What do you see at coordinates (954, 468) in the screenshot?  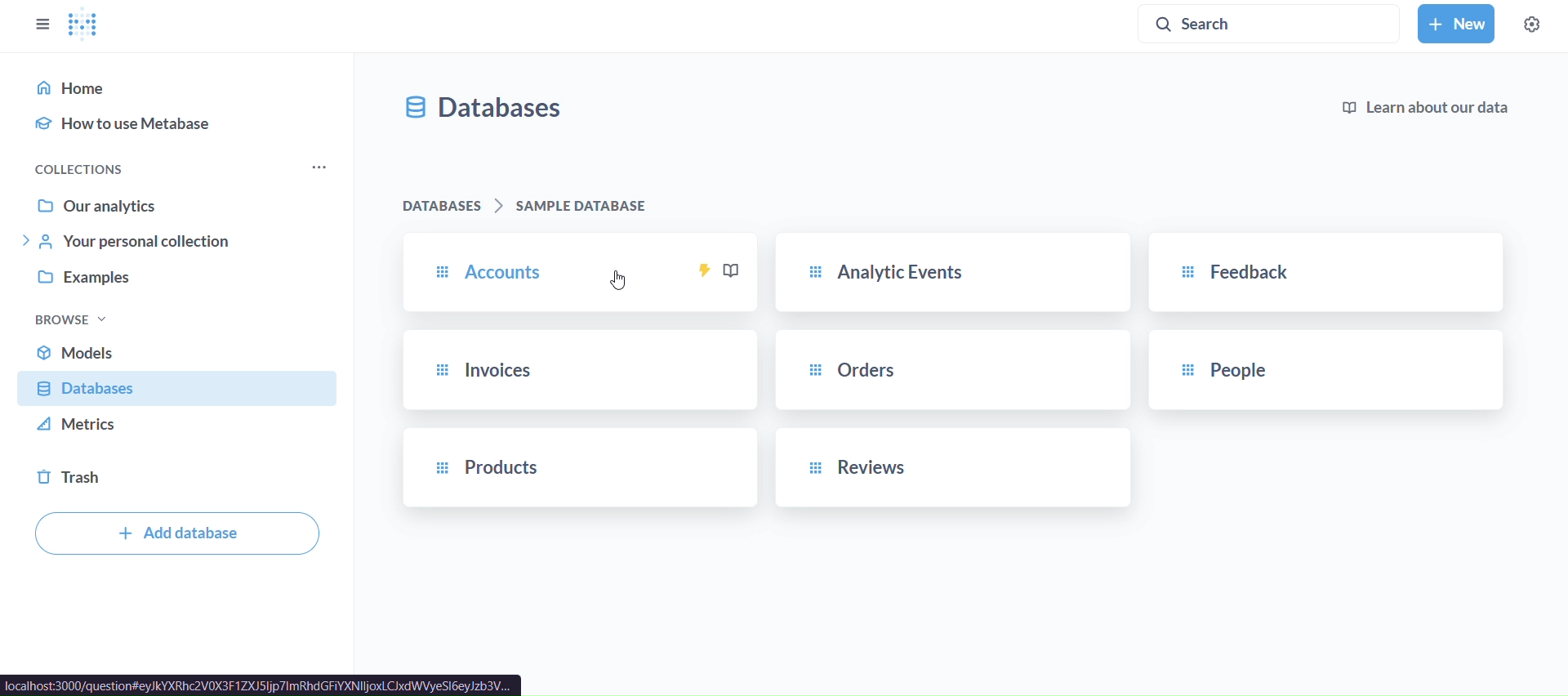 I see `reviews` at bounding box center [954, 468].